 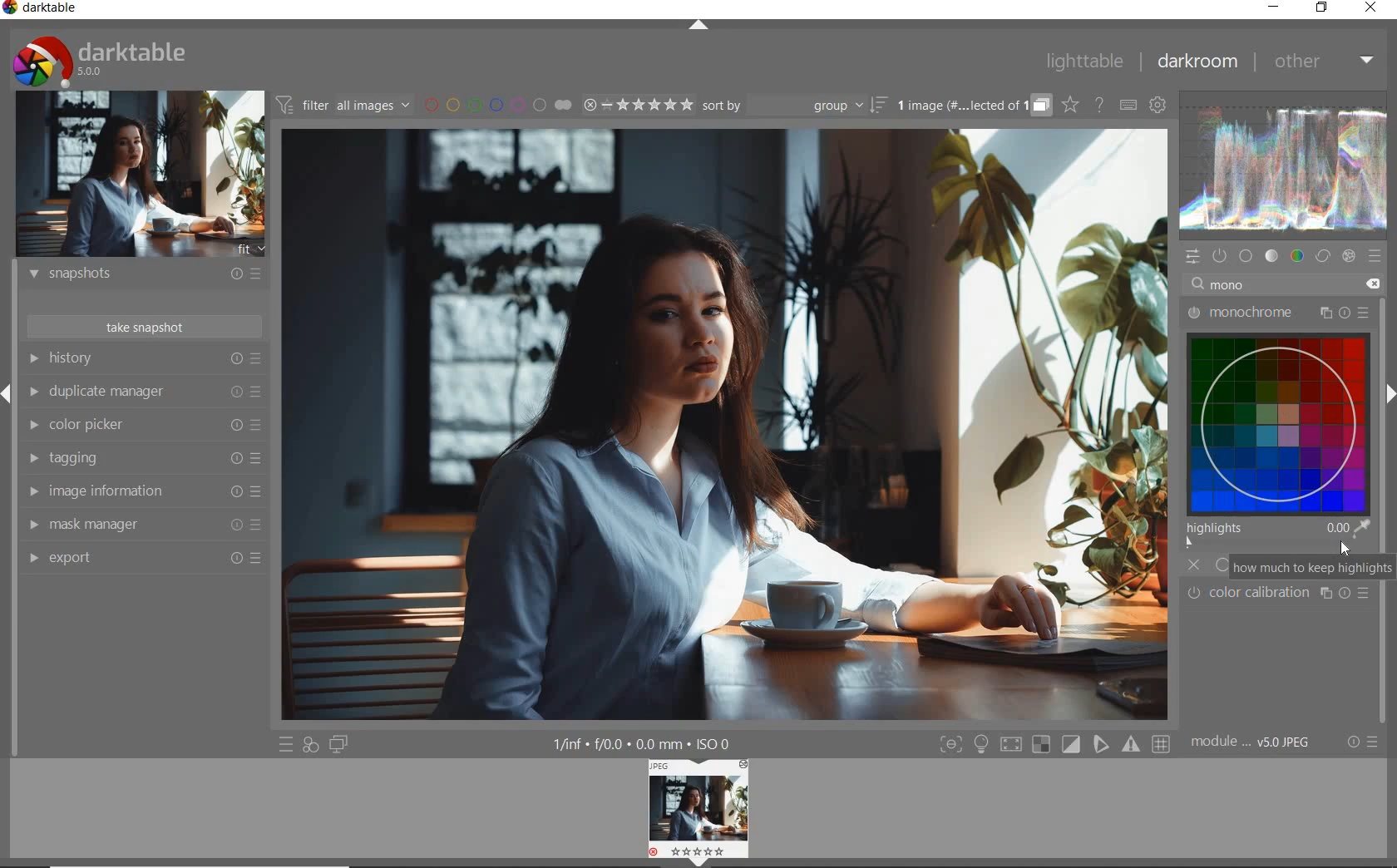 What do you see at coordinates (141, 525) in the screenshot?
I see `mask manager` at bounding box center [141, 525].